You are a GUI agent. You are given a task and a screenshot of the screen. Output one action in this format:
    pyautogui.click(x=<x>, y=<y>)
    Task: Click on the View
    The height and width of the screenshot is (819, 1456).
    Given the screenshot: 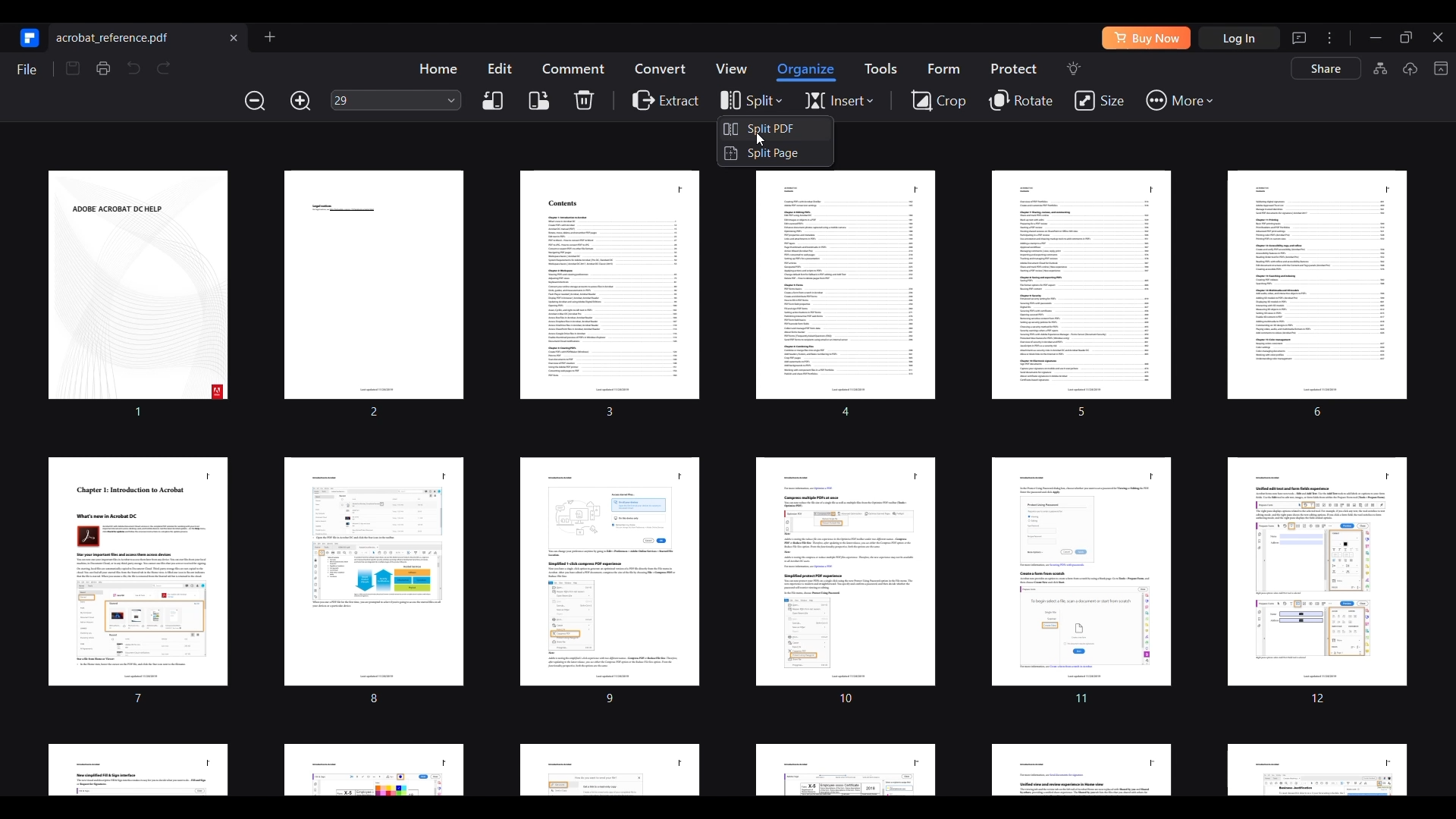 What is the action you would take?
    pyautogui.click(x=730, y=68)
    